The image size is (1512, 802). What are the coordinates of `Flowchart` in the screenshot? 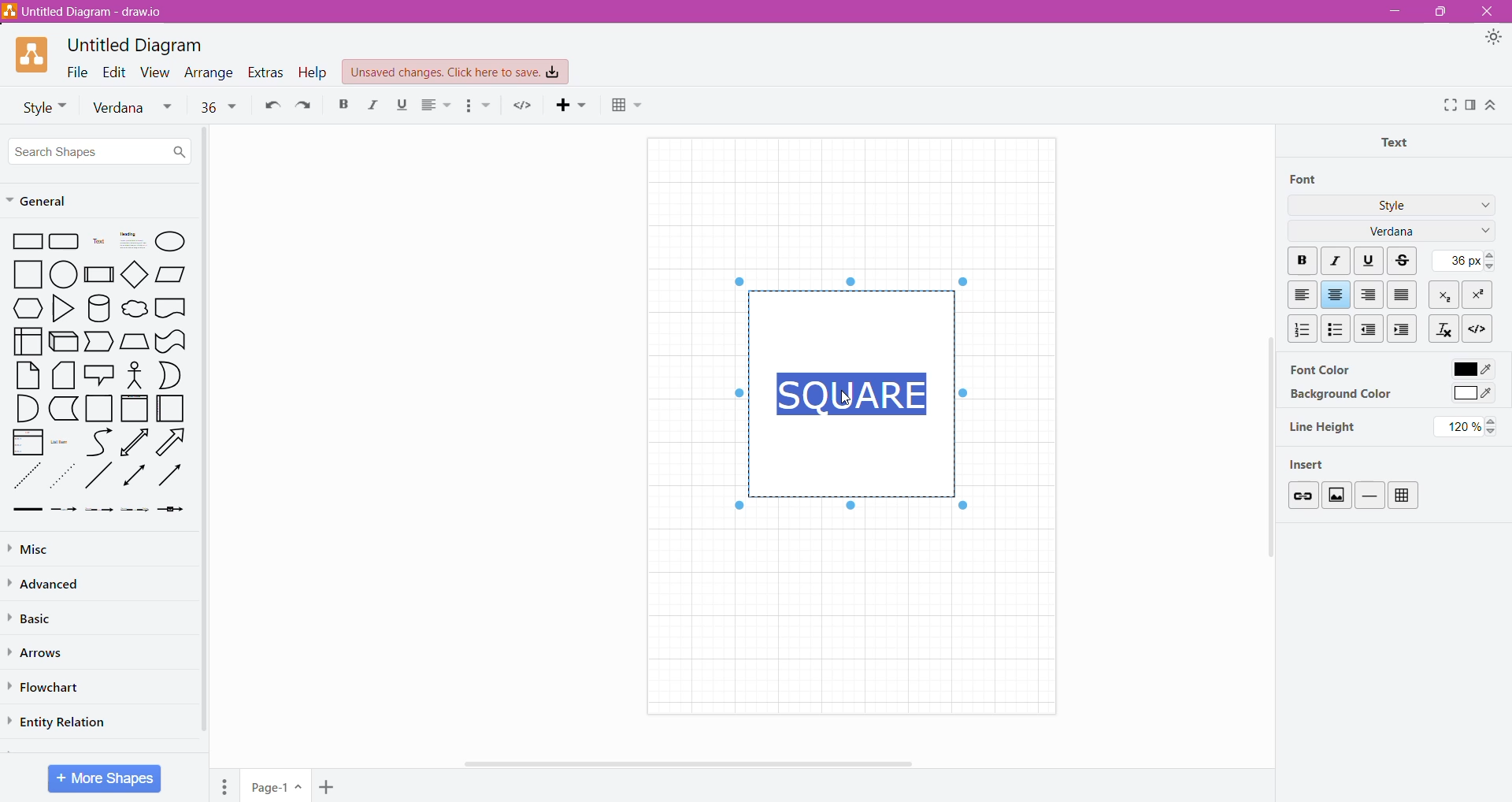 It's located at (48, 688).